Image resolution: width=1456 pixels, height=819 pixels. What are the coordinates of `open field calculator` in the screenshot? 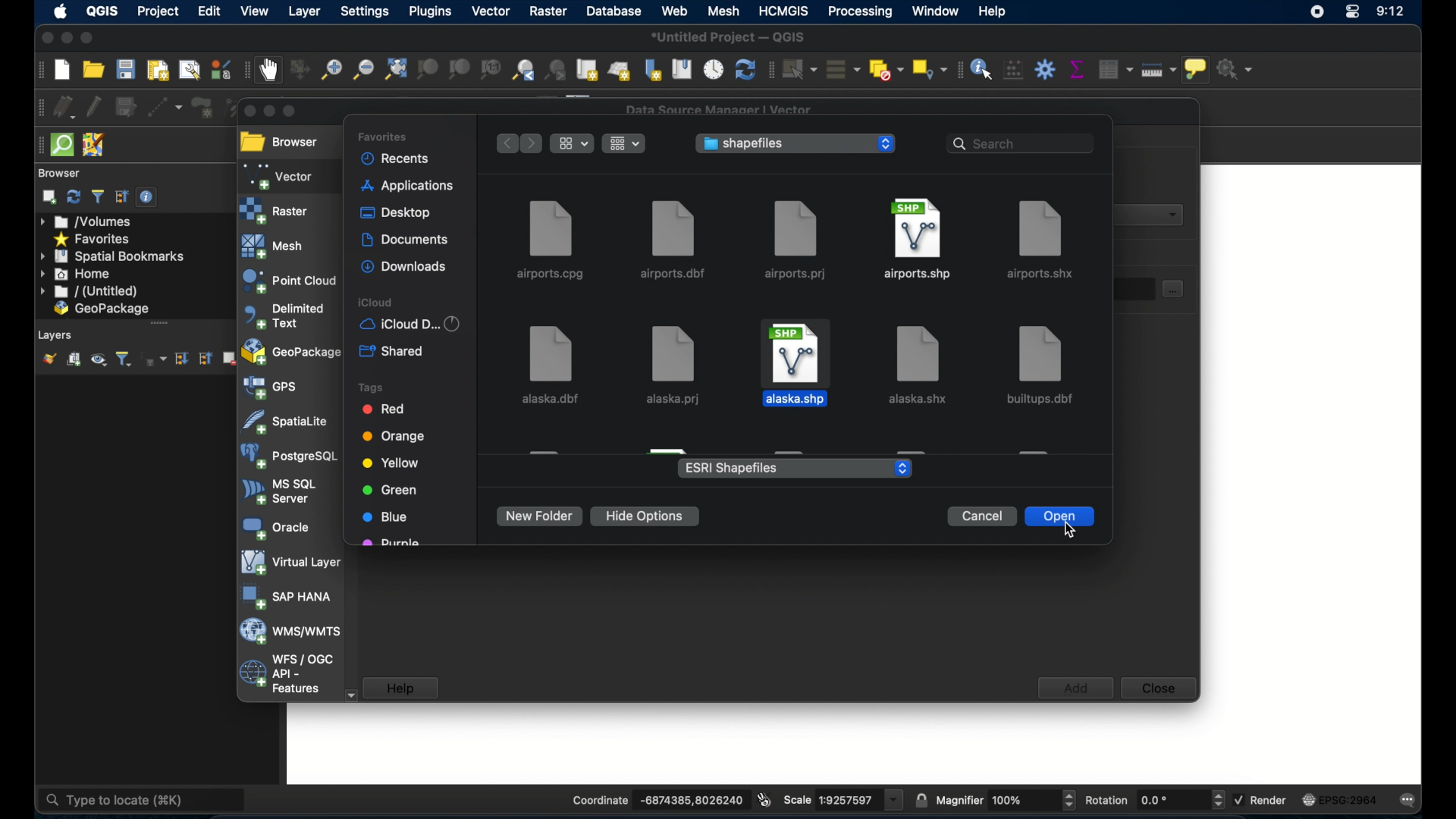 It's located at (1013, 70).